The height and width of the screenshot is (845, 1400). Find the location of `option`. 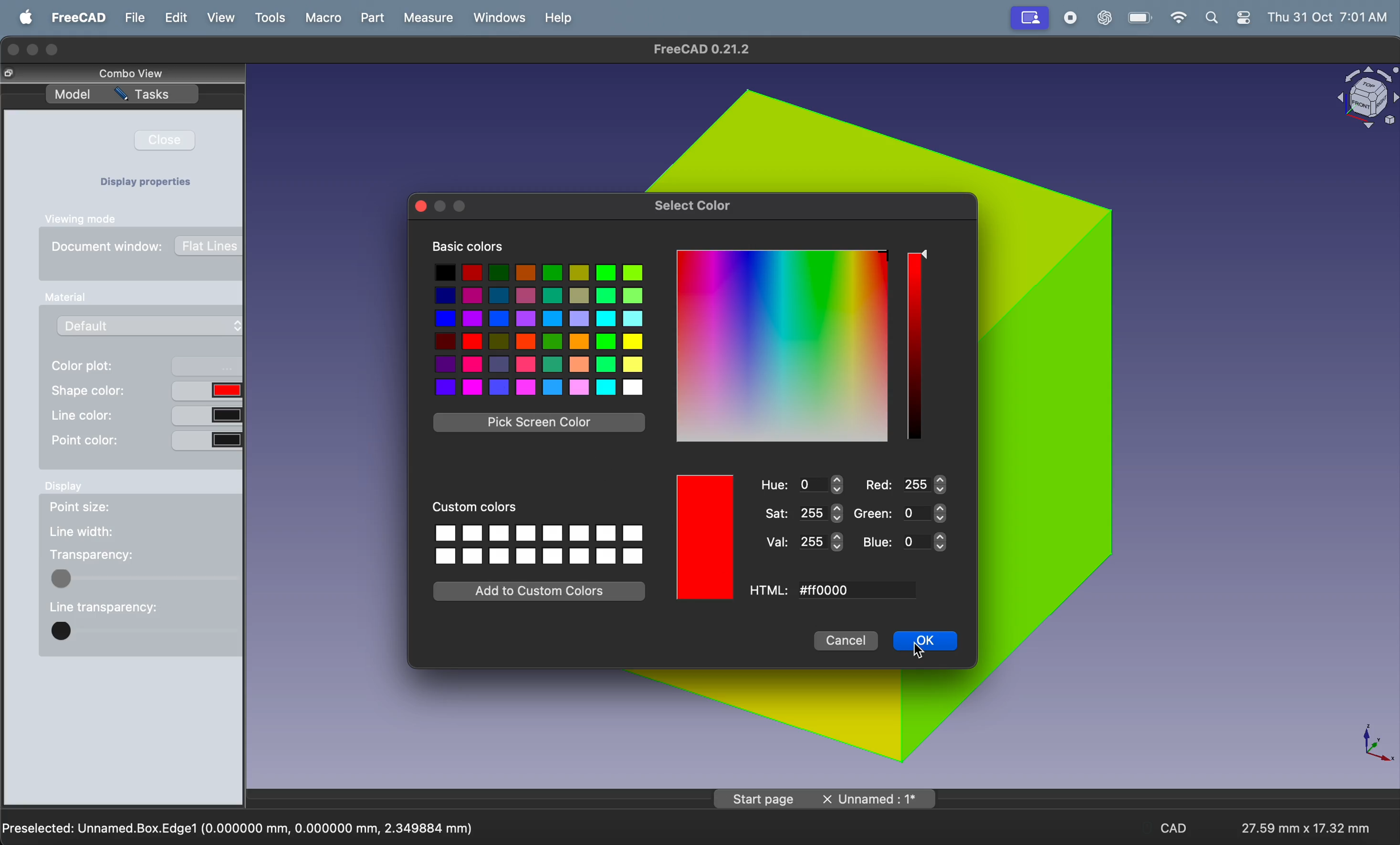

option is located at coordinates (539, 545).